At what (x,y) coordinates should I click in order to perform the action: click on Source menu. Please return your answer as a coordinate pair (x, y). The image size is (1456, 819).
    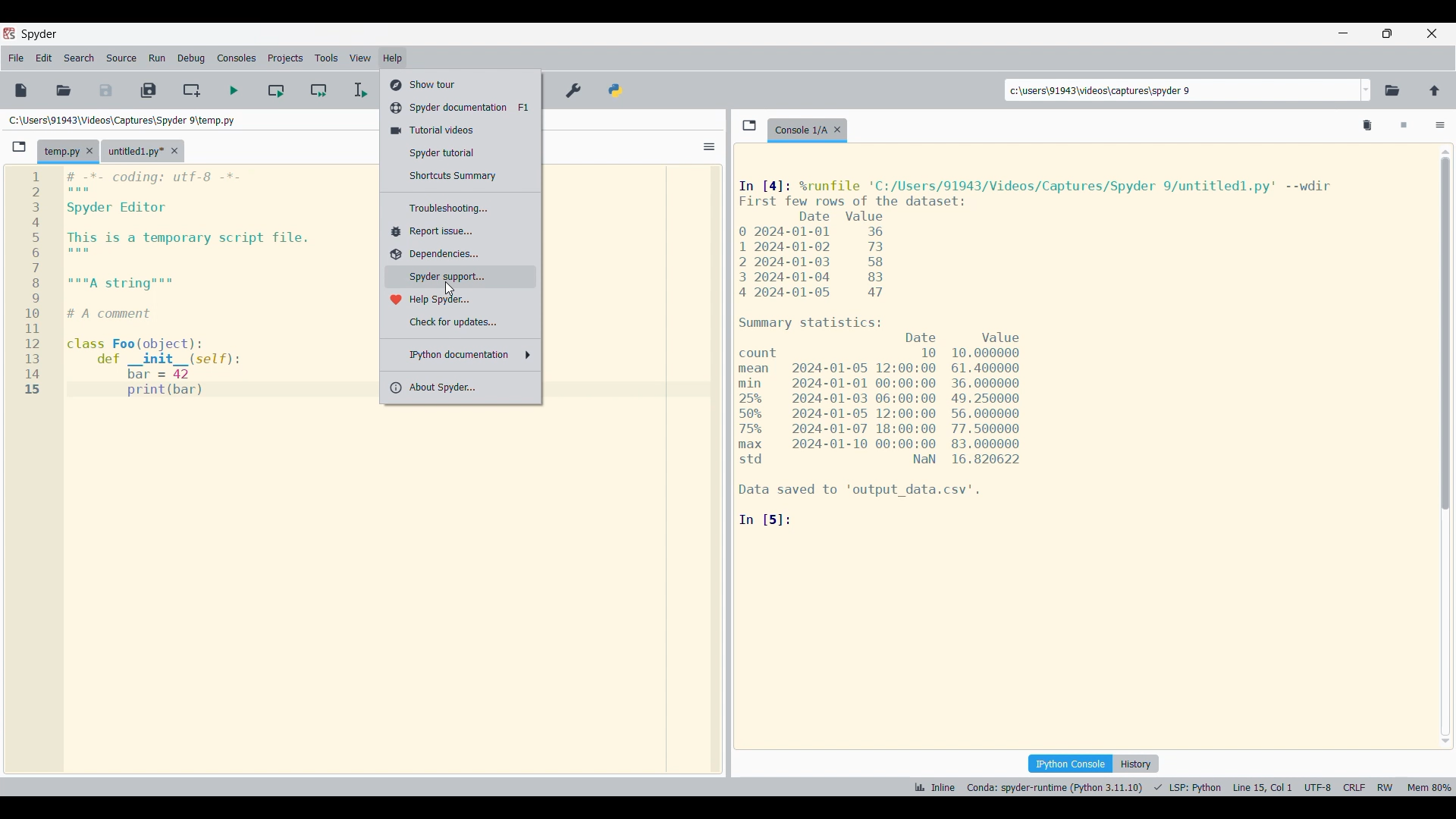
    Looking at the image, I should click on (121, 58).